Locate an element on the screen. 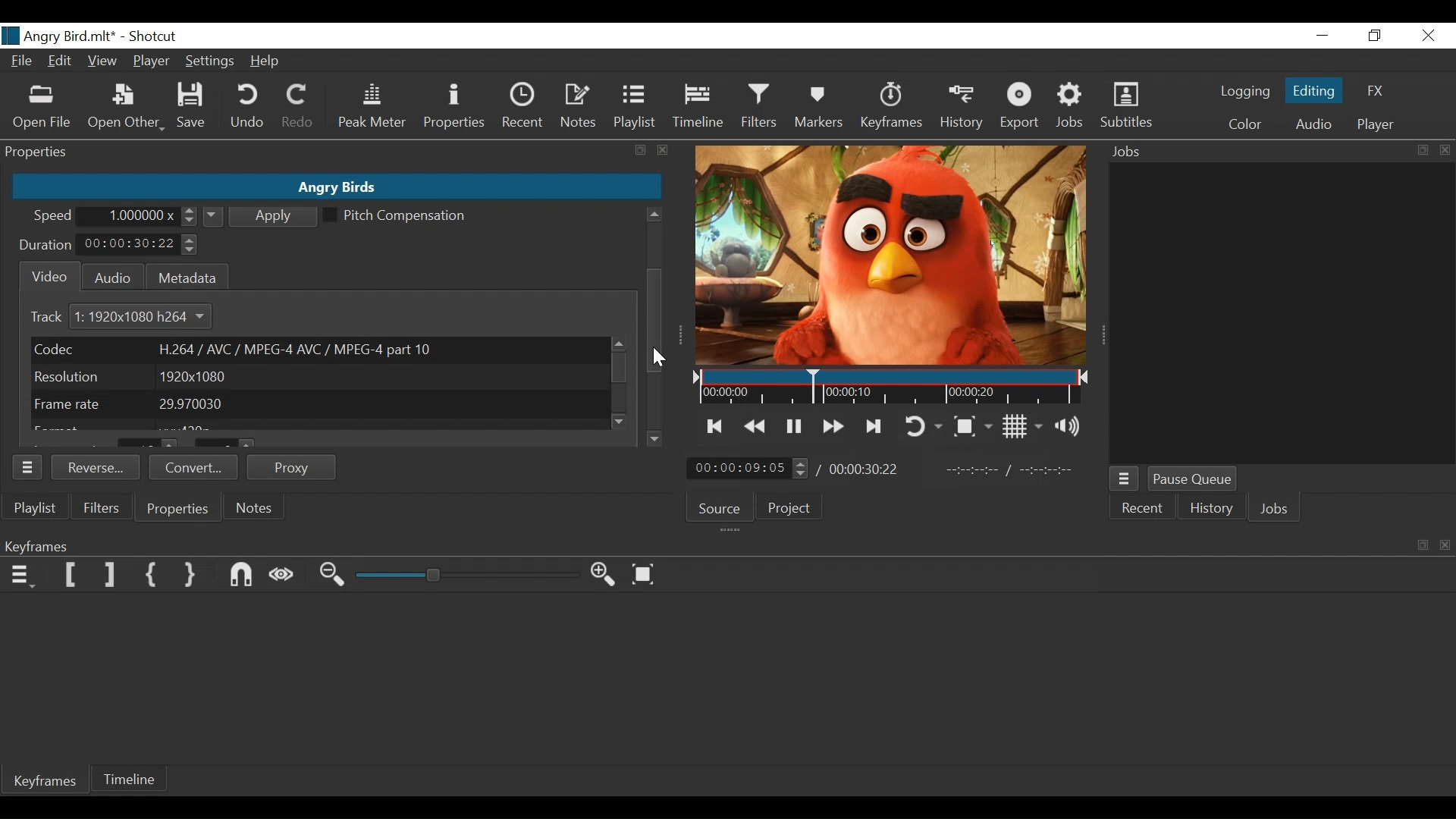  Set Filter First is located at coordinates (71, 574).